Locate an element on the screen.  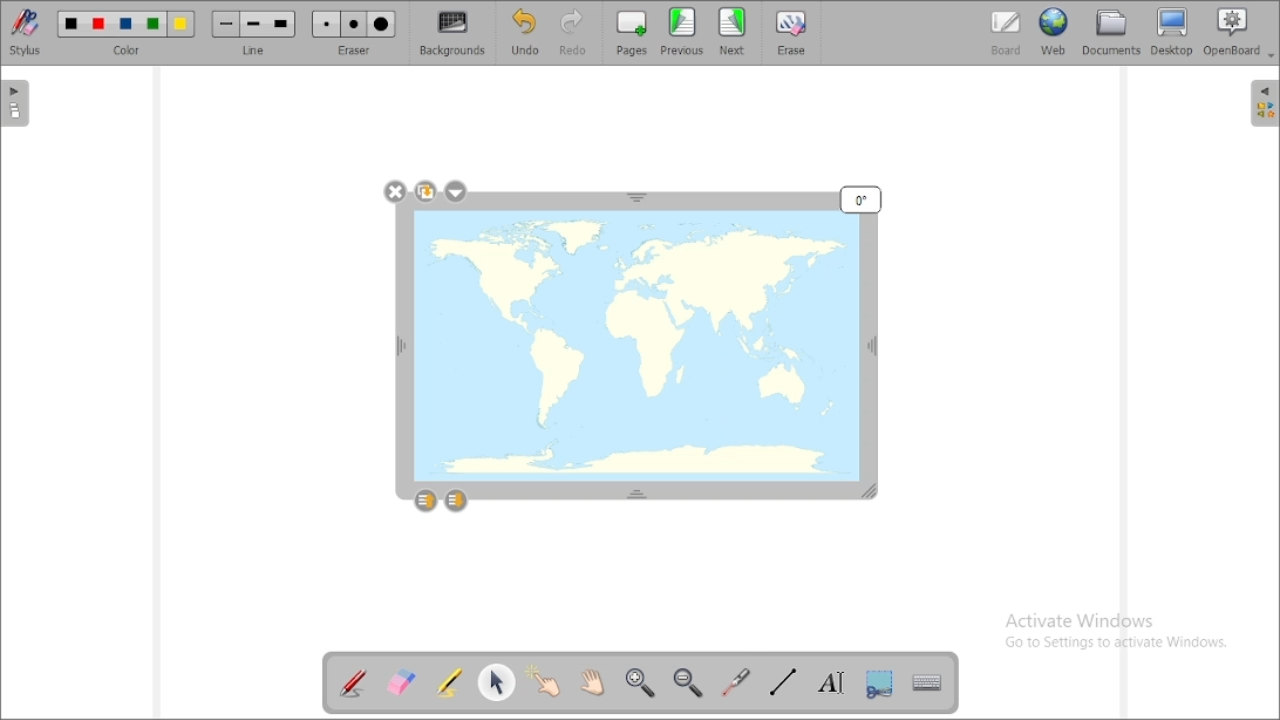
backgrounds is located at coordinates (451, 33).